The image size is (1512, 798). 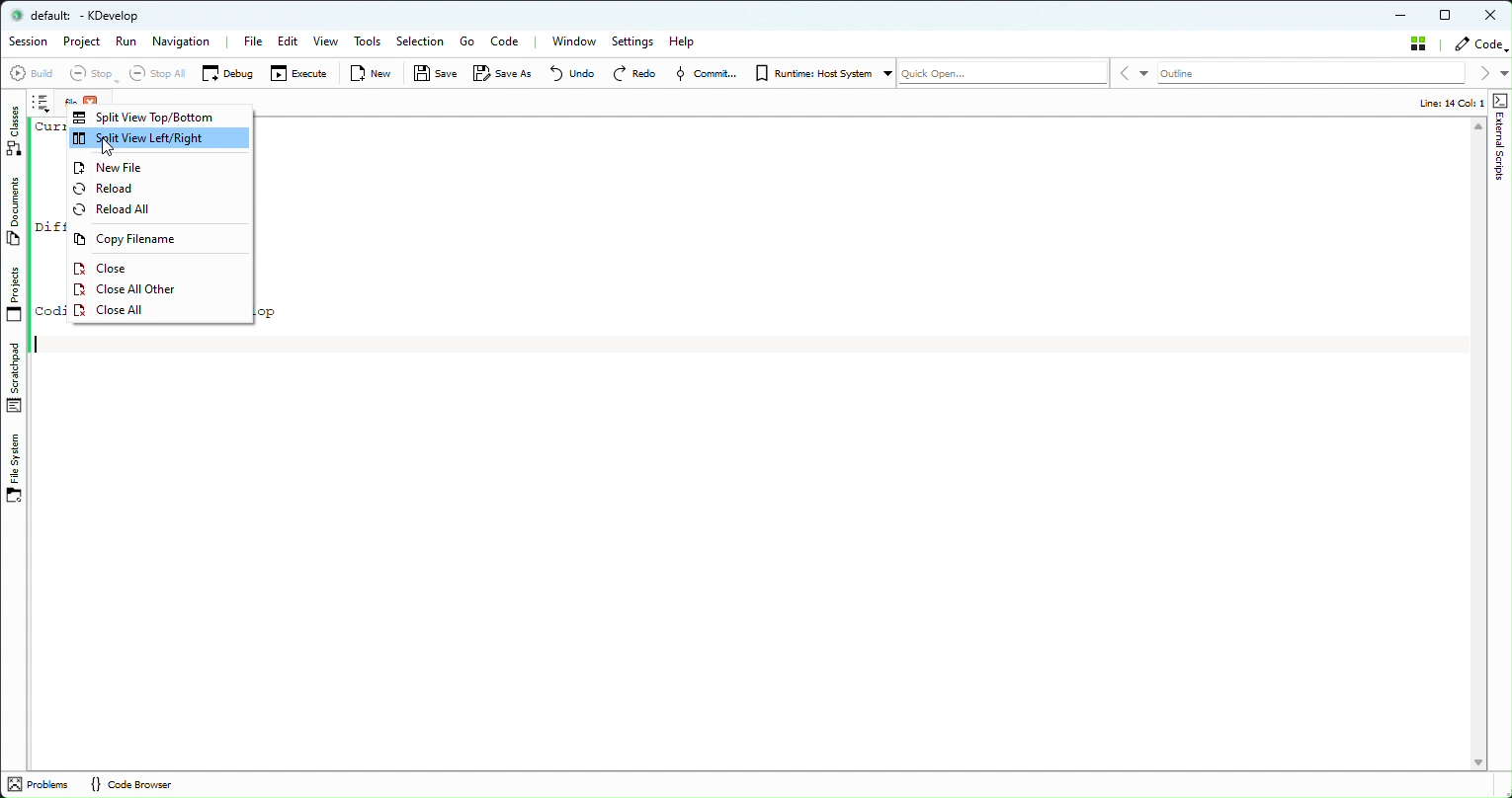 I want to click on Commit, so click(x=712, y=71).